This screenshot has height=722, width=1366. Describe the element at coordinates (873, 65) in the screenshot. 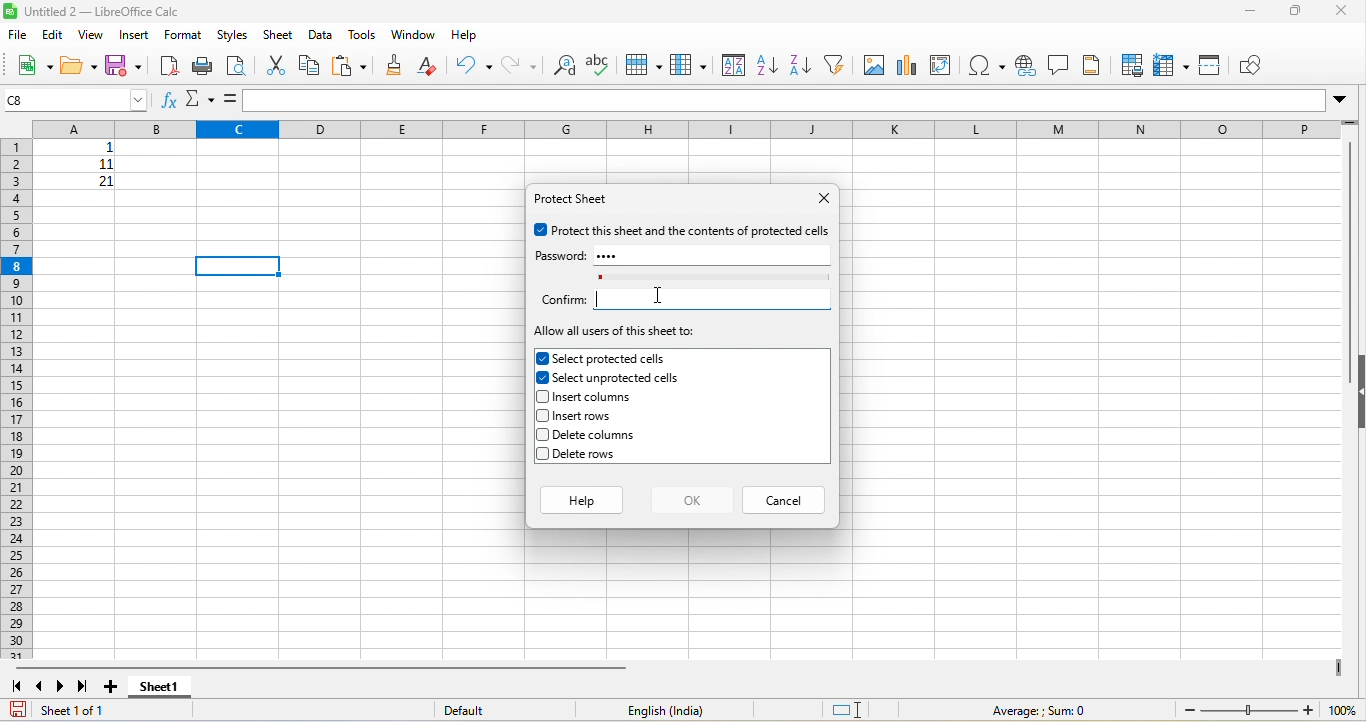

I see `image` at that location.